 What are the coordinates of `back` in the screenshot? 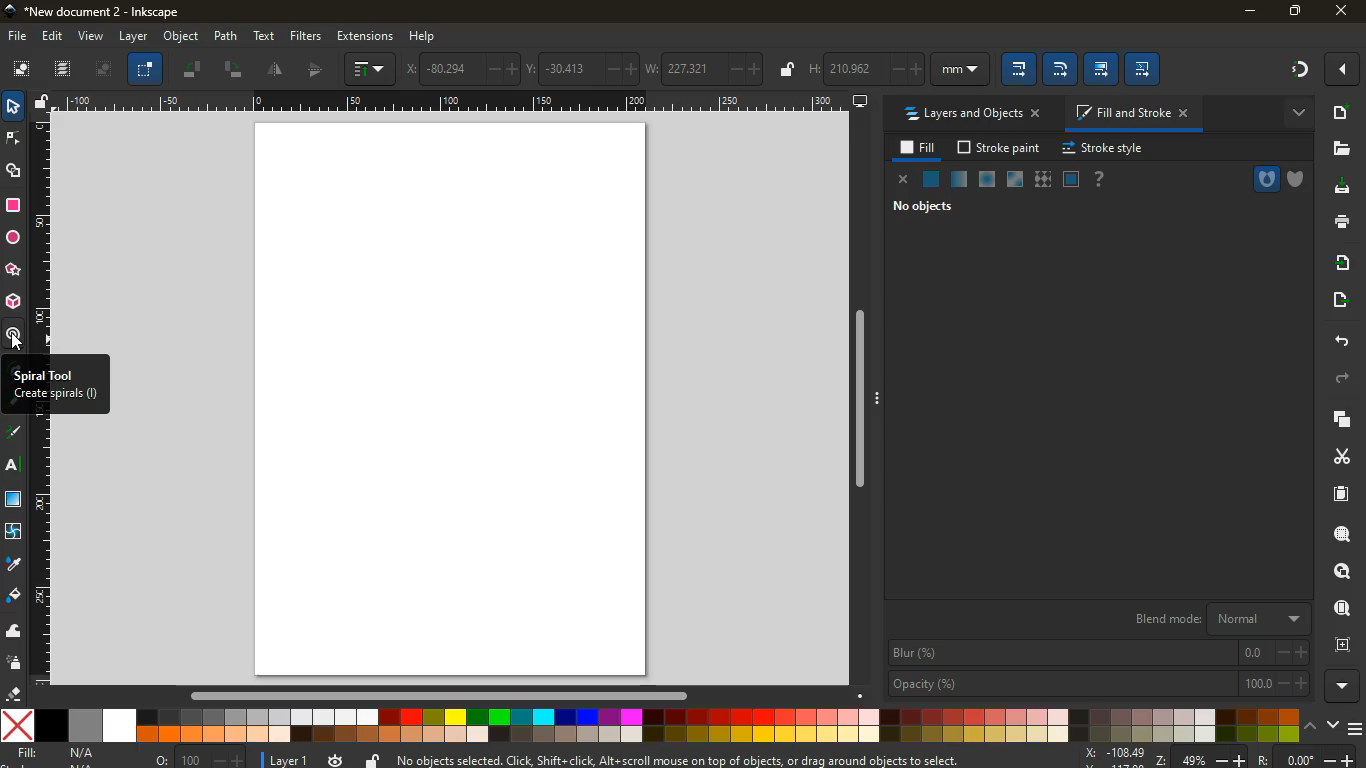 It's located at (1339, 341).